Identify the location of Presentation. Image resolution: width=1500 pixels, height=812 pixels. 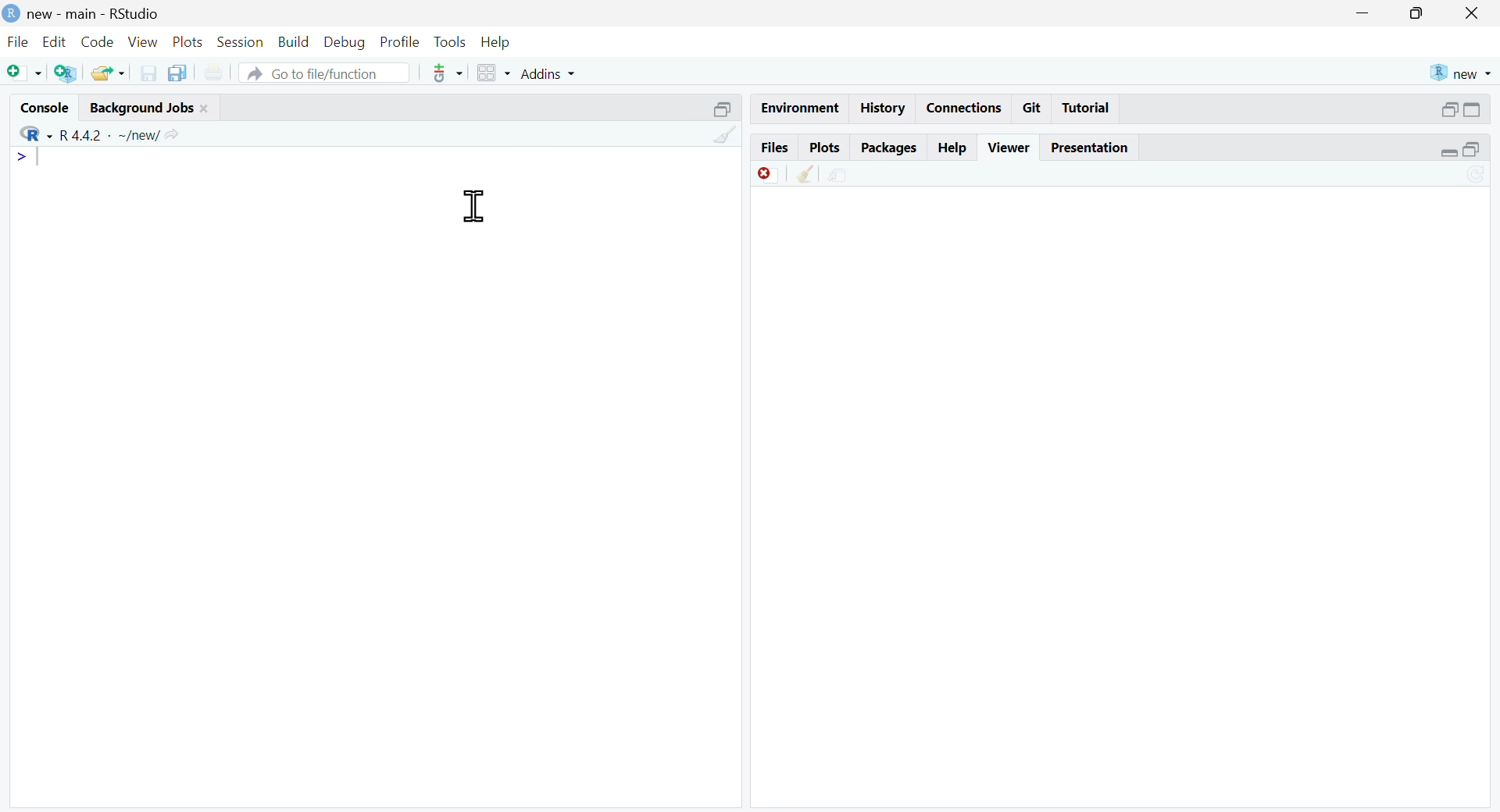
(1090, 148).